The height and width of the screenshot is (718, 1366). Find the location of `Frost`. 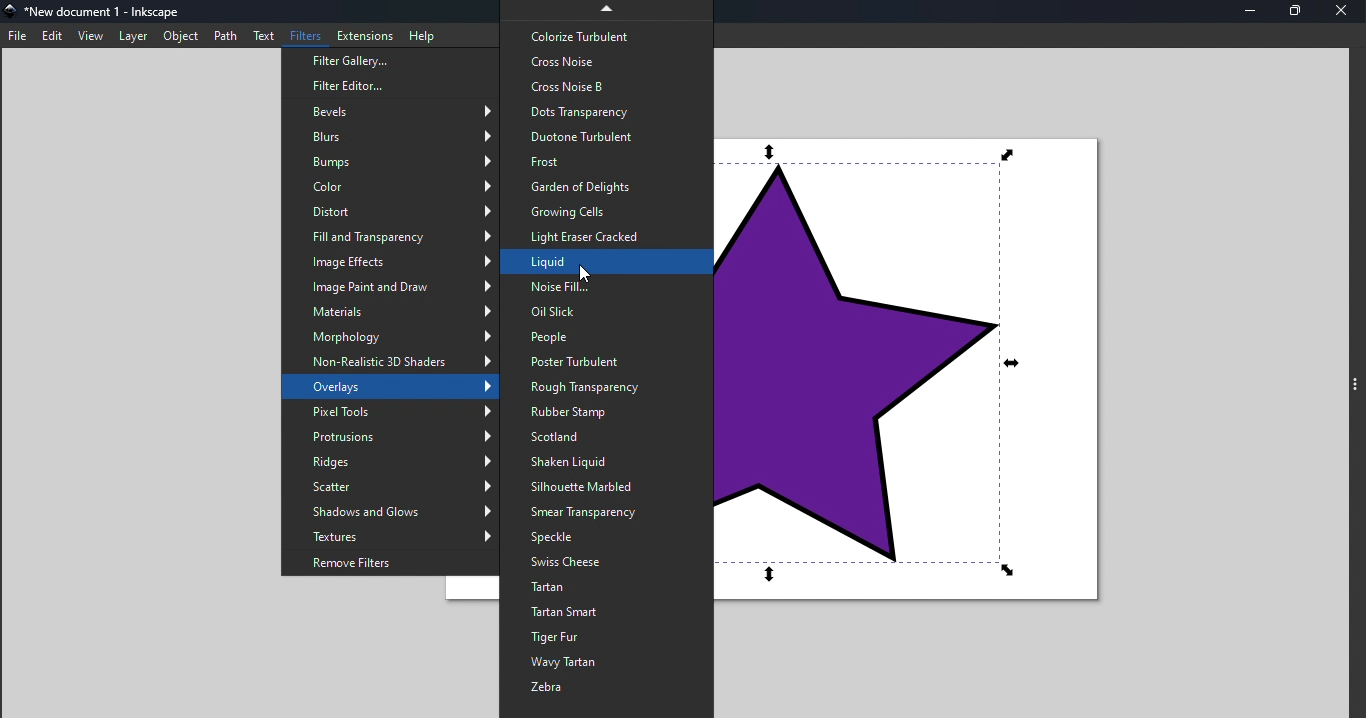

Frost is located at coordinates (604, 162).